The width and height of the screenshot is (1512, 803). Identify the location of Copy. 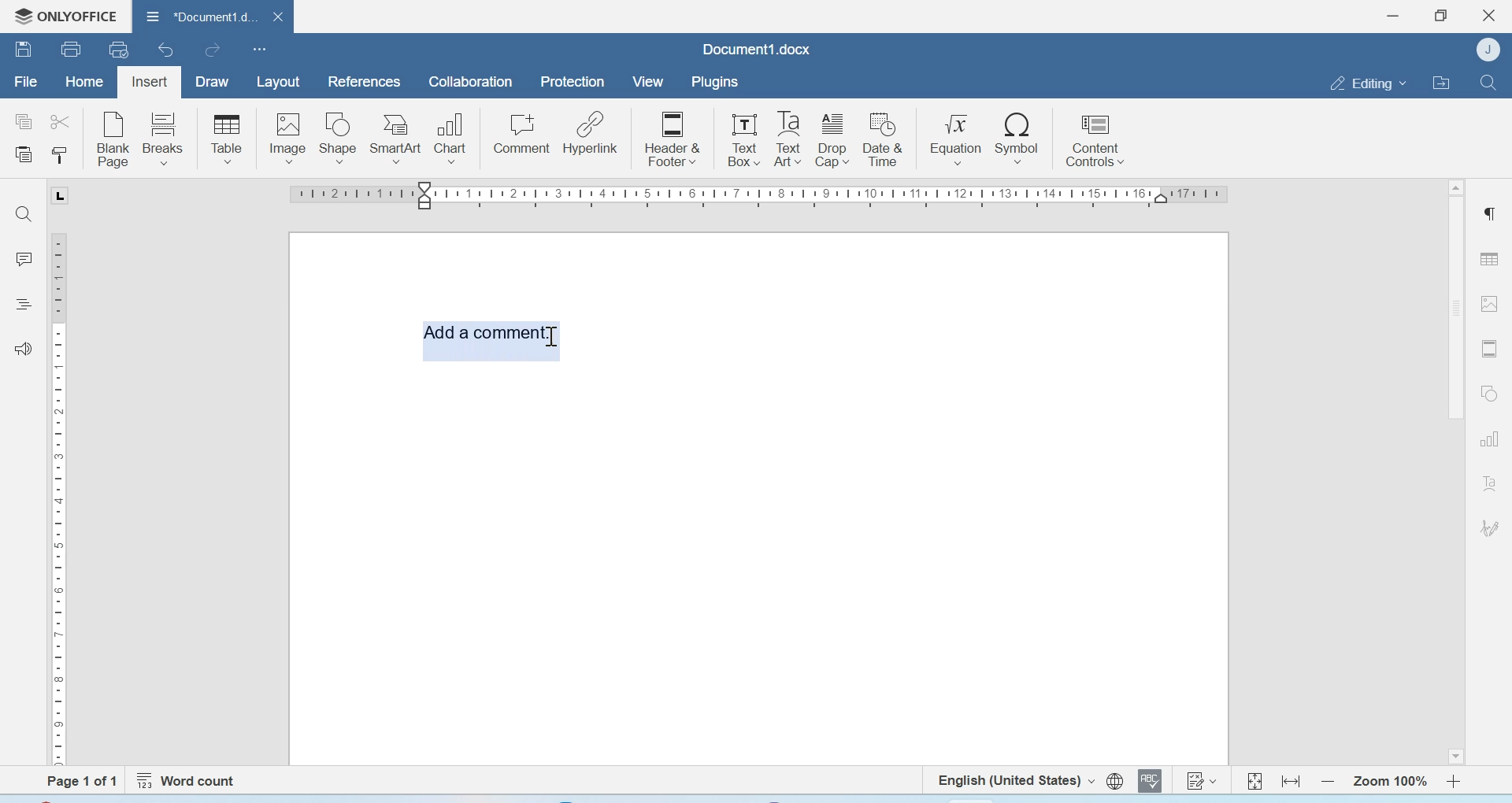
(24, 122).